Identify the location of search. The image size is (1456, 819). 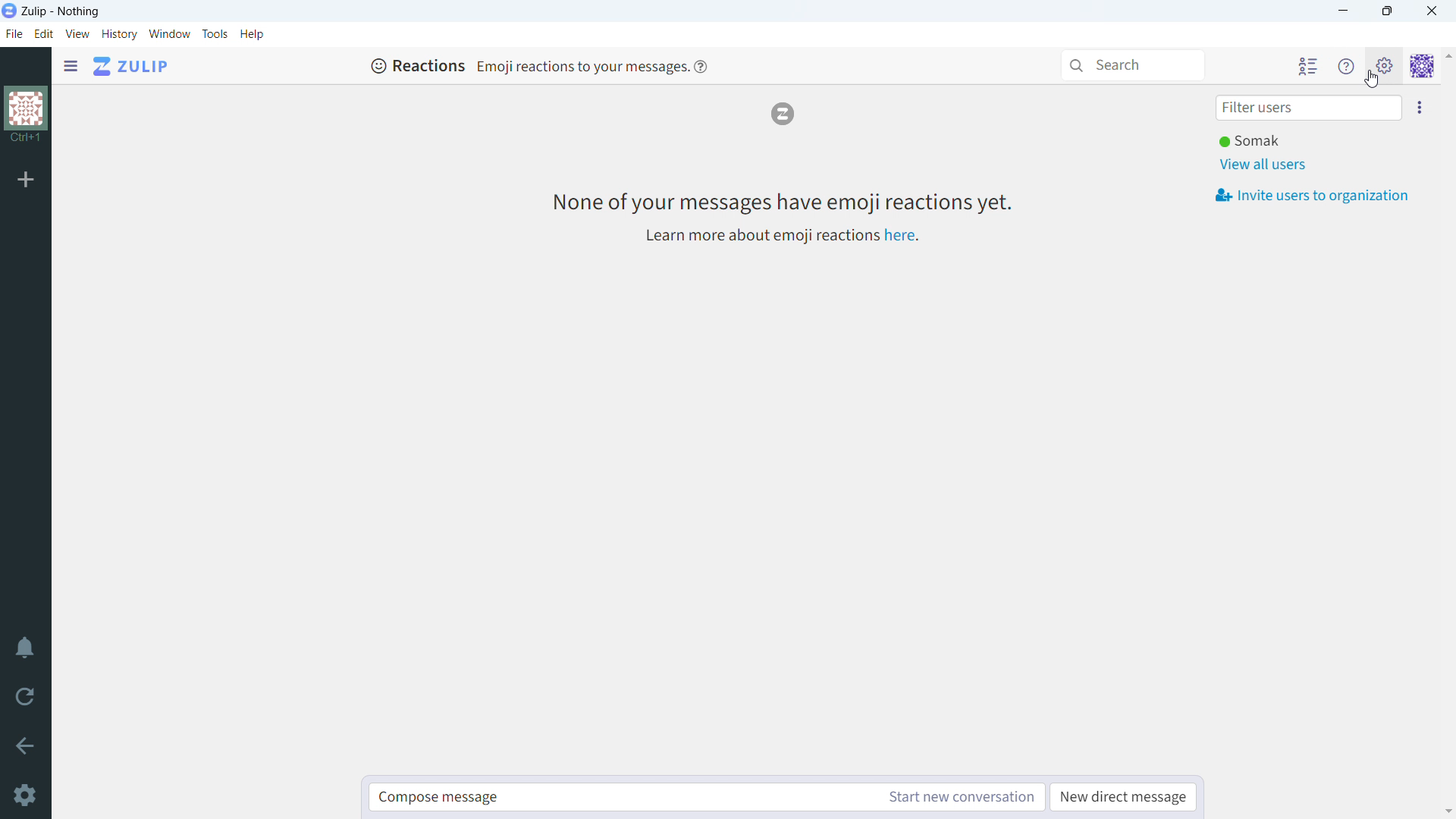
(1131, 65).